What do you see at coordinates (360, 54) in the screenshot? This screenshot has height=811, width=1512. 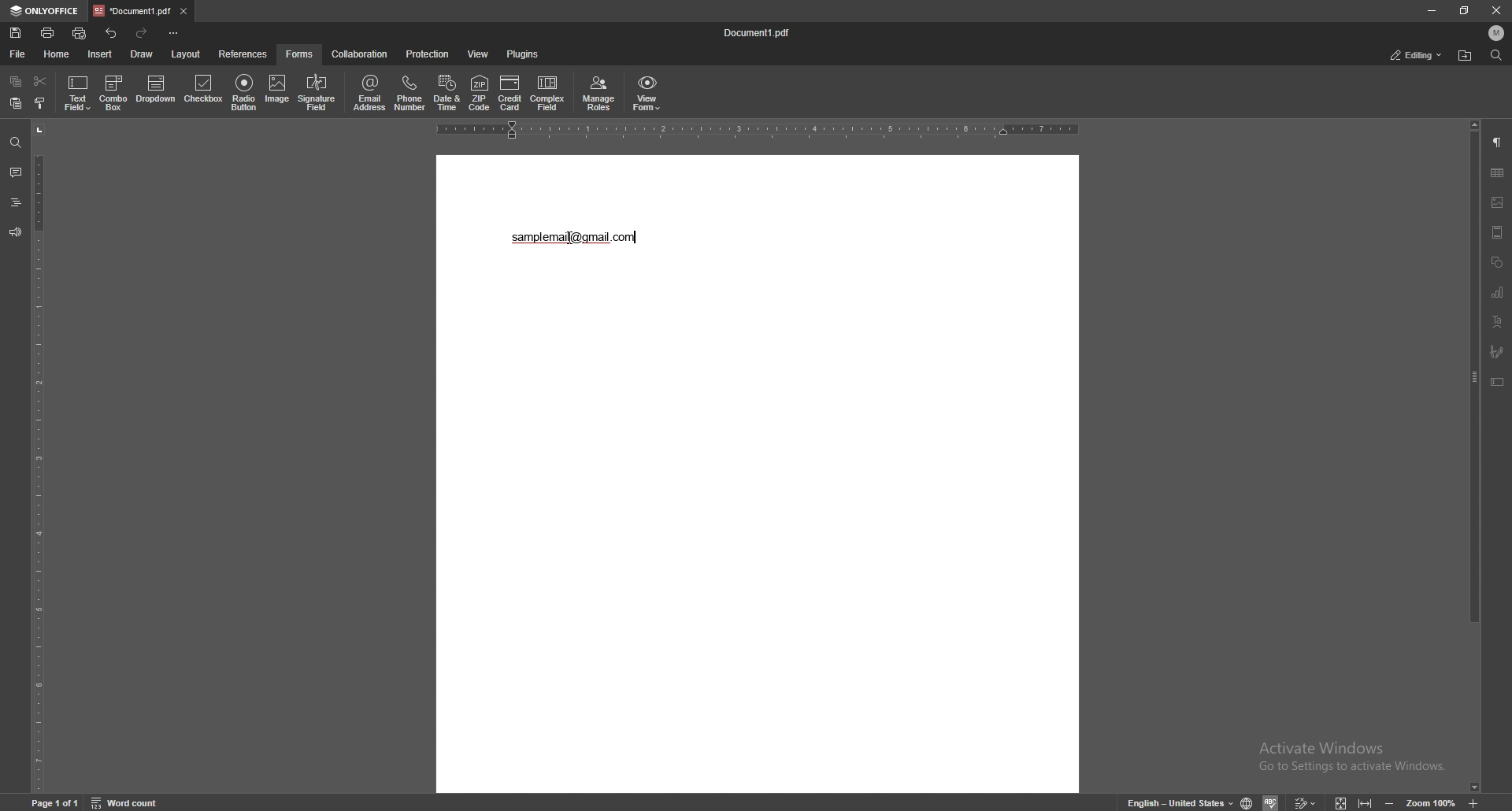 I see `collaboration` at bounding box center [360, 54].